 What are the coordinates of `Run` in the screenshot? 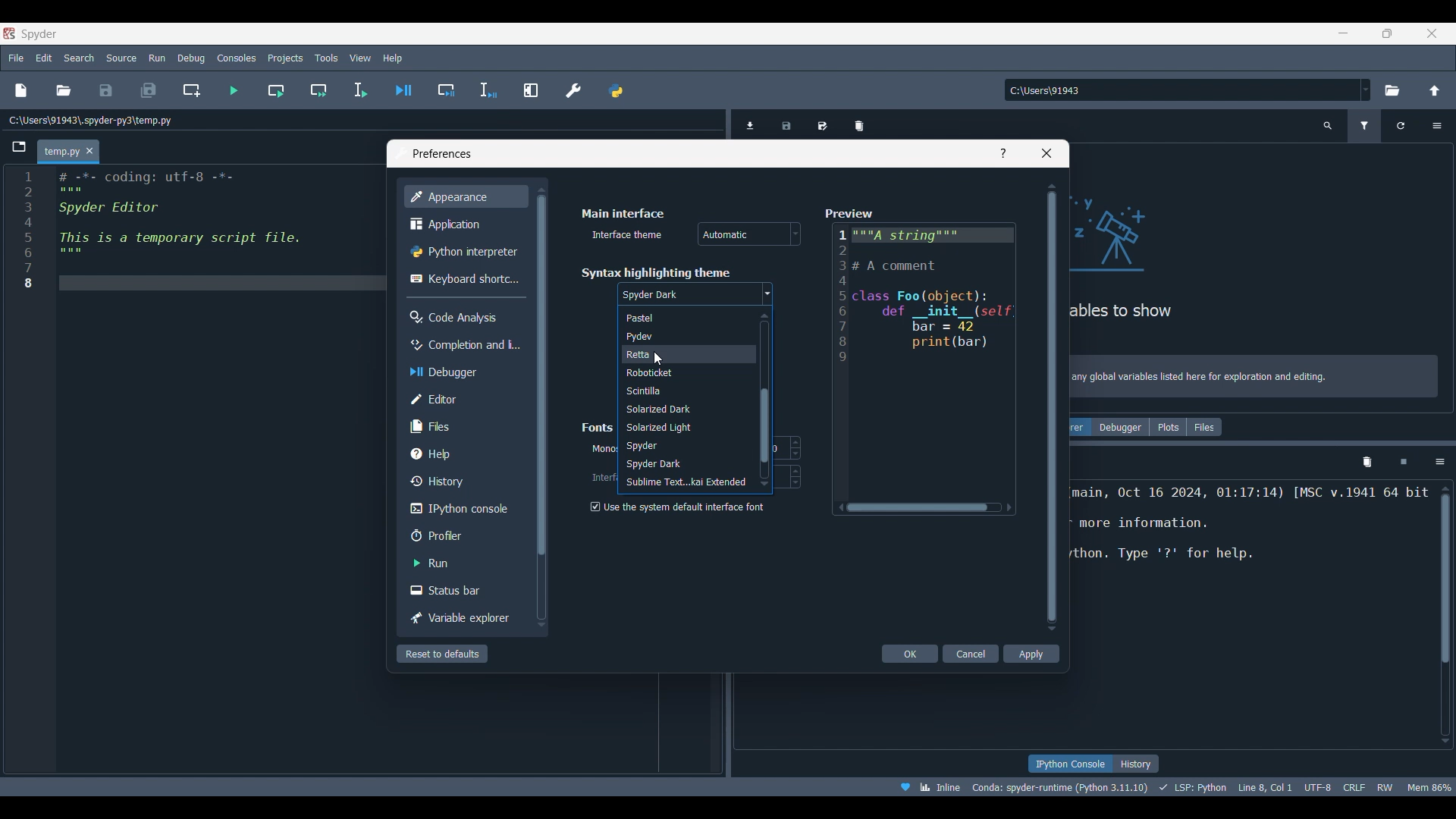 It's located at (463, 563).